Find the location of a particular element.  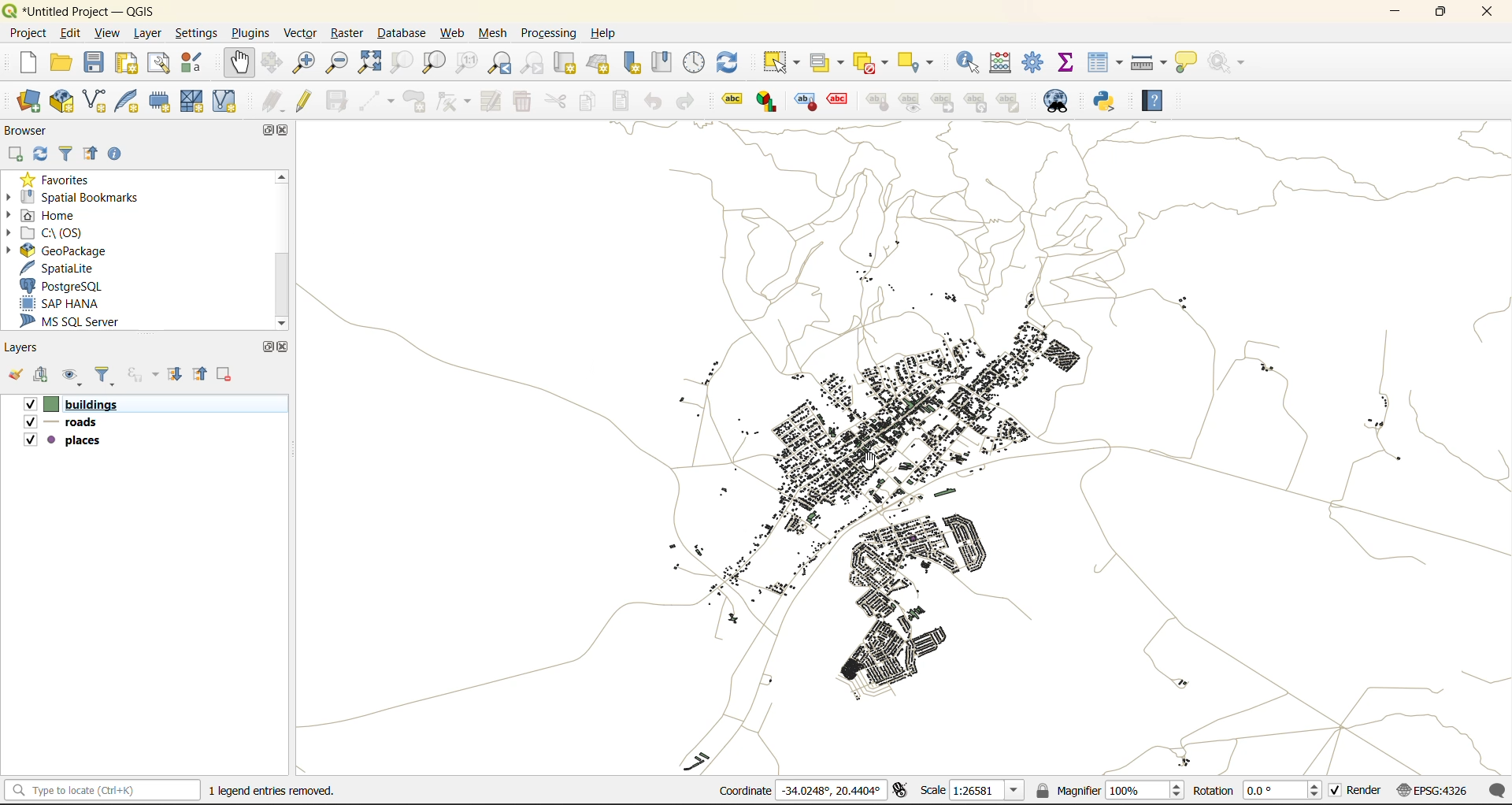

add geopackage is located at coordinates (65, 101).